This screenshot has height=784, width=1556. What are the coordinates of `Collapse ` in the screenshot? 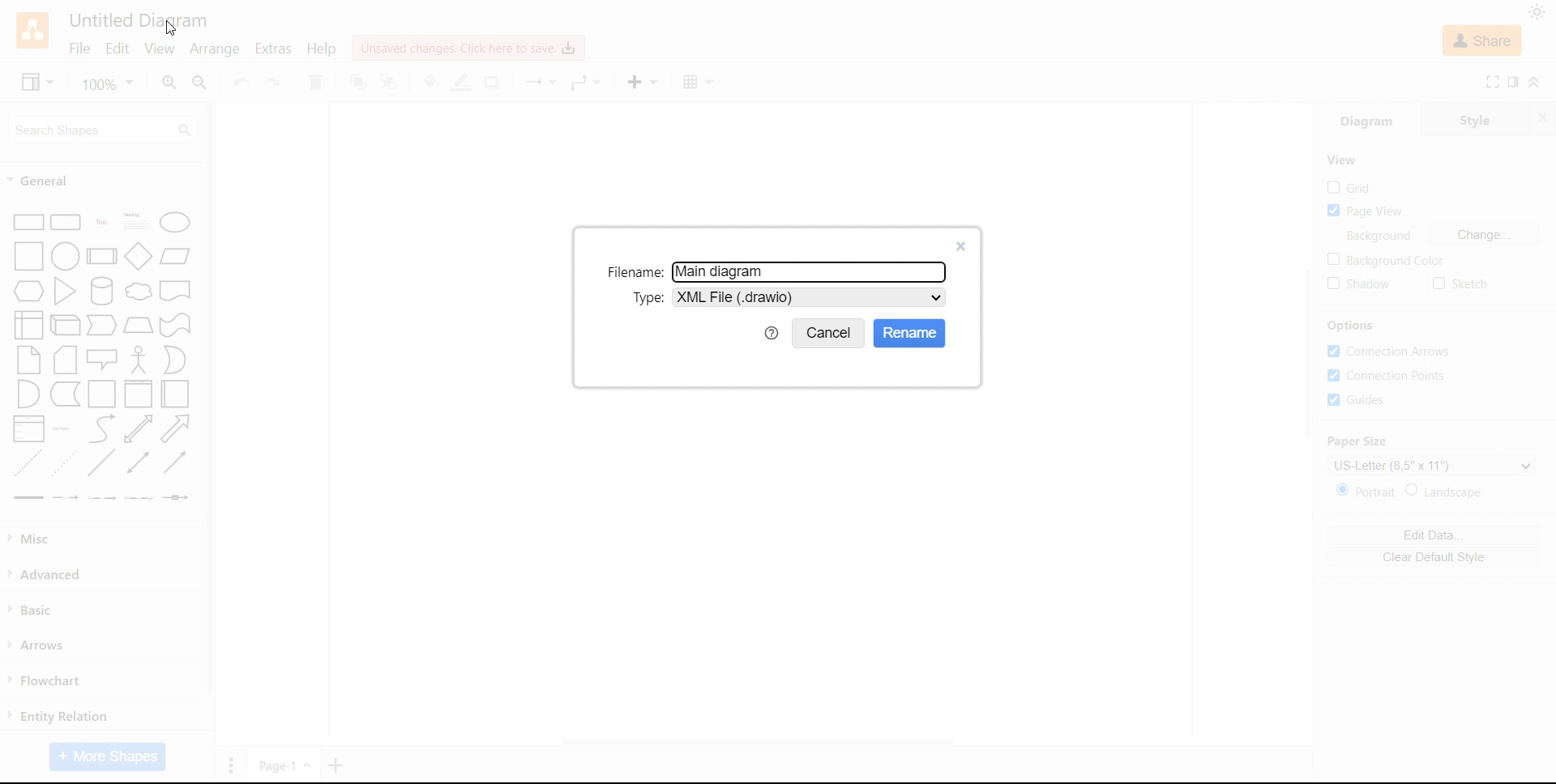 It's located at (1537, 81).